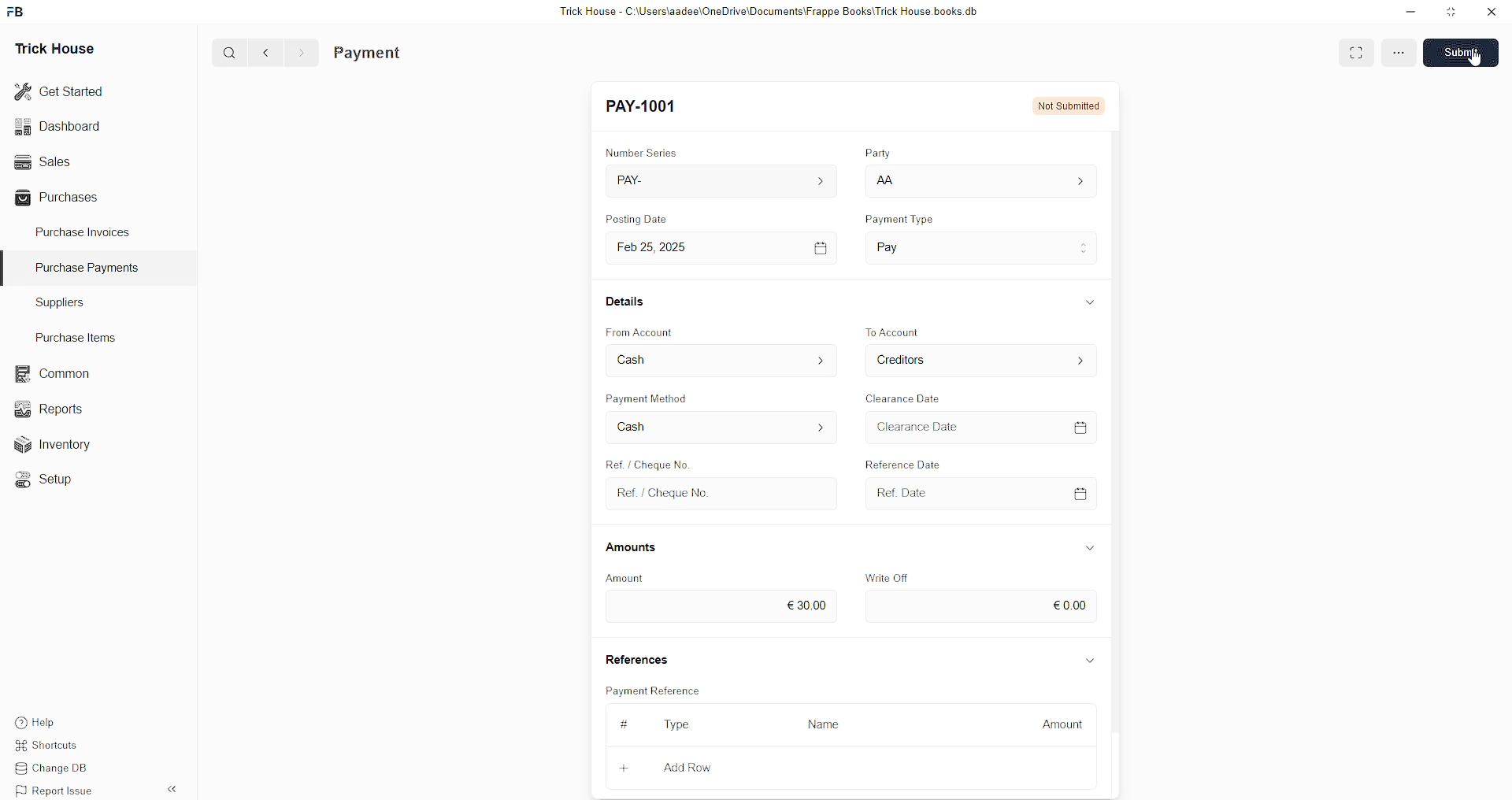 The image size is (1512, 800). I want to click on Amount, so click(1061, 723).